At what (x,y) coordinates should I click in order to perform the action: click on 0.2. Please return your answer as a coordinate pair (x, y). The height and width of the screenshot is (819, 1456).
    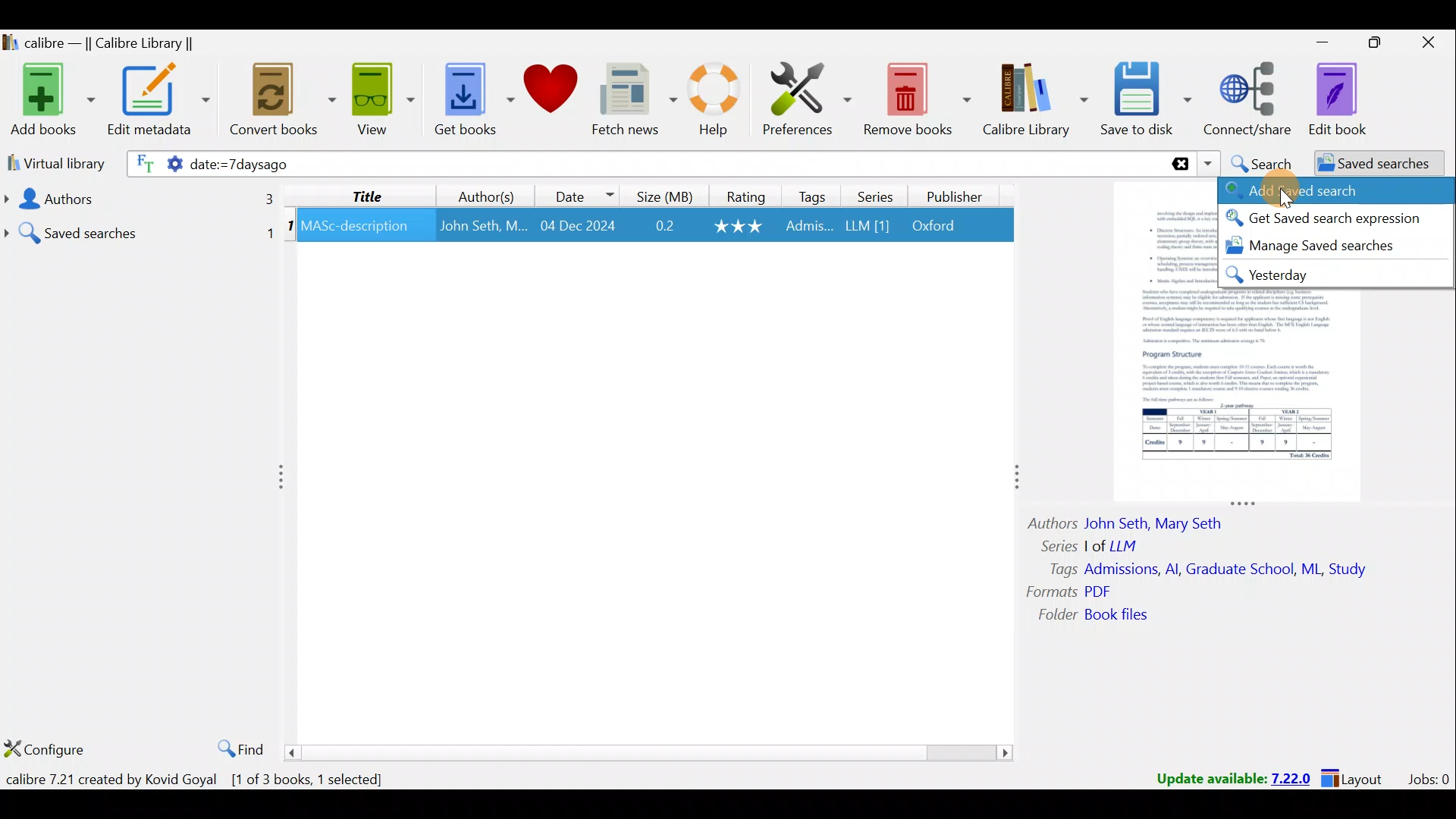
    Looking at the image, I should click on (665, 227).